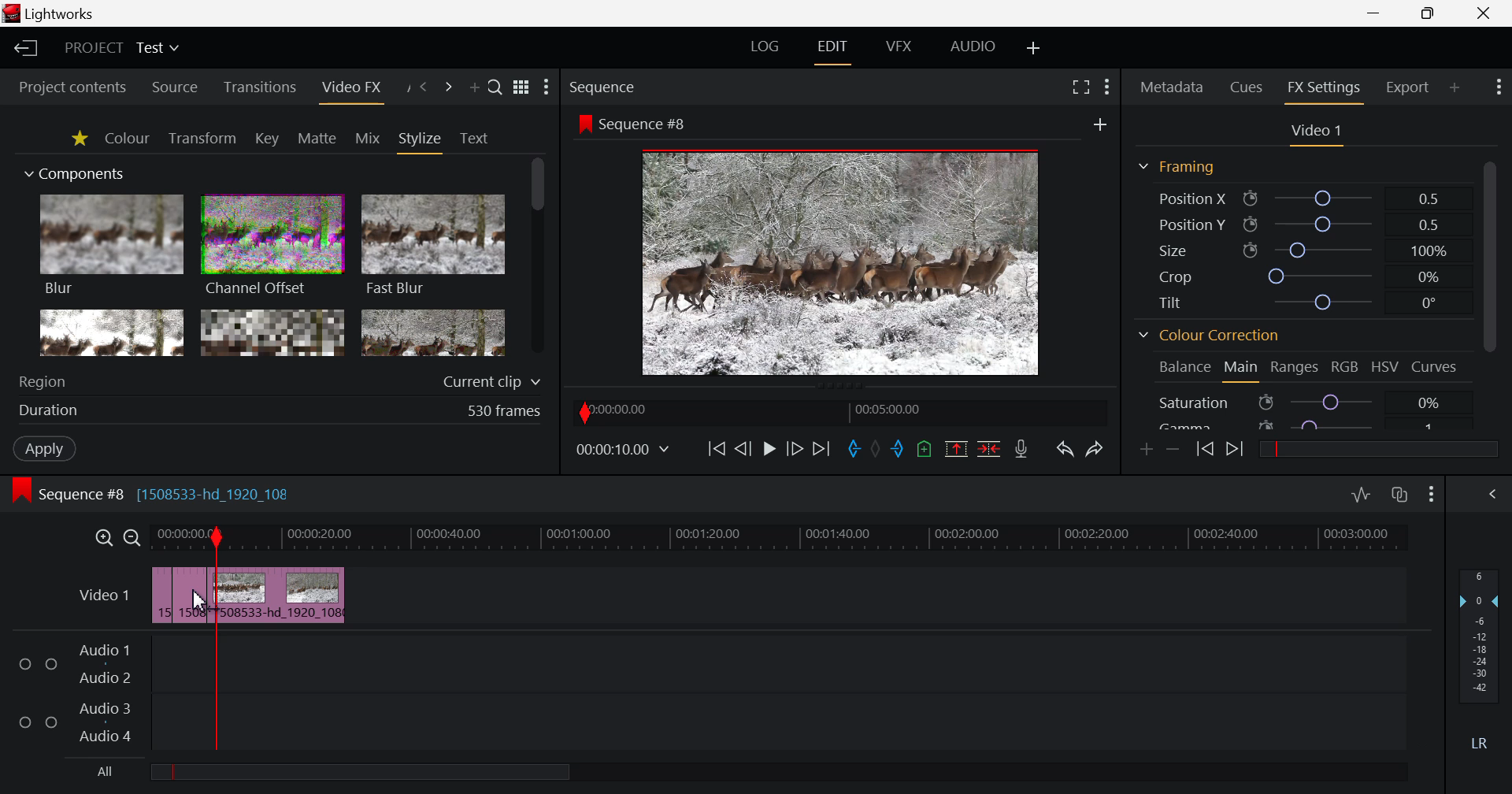 Image resolution: width=1512 pixels, height=794 pixels. Describe the element at coordinates (1240, 369) in the screenshot. I see `Main Tab Open` at that location.